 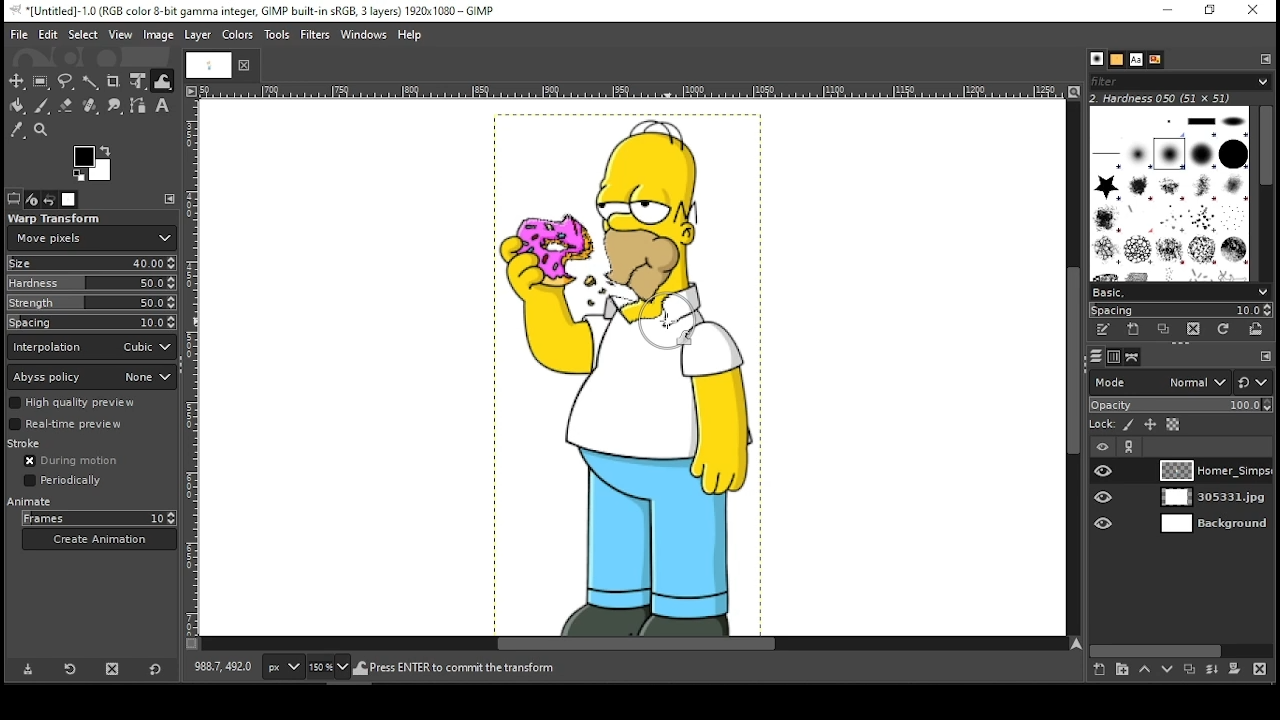 I want to click on layer mode, so click(x=1160, y=382).